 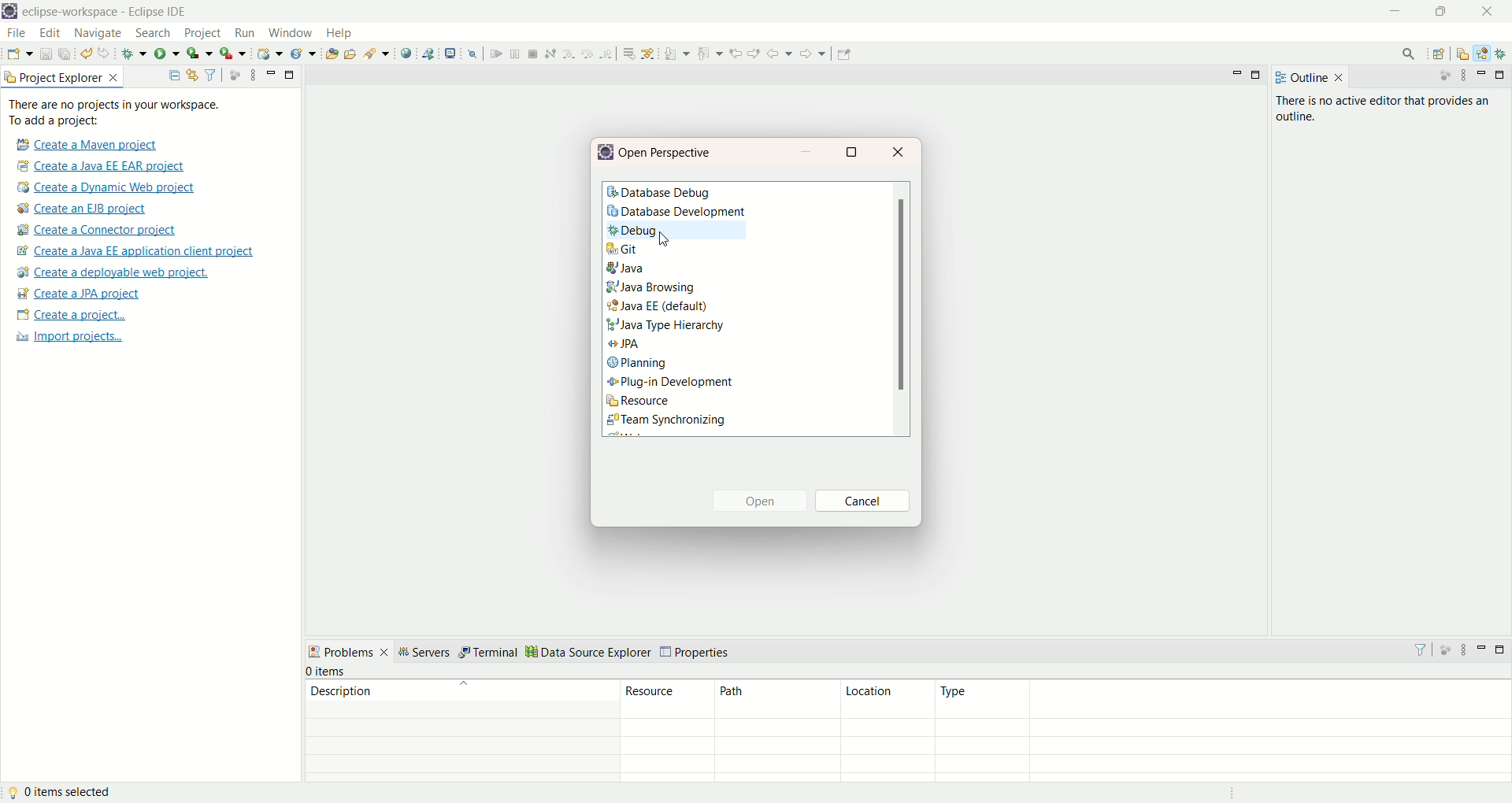 What do you see at coordinates (1499, 76) in the screenshot?
I see `maximize` at bounding box center [1499, 76].